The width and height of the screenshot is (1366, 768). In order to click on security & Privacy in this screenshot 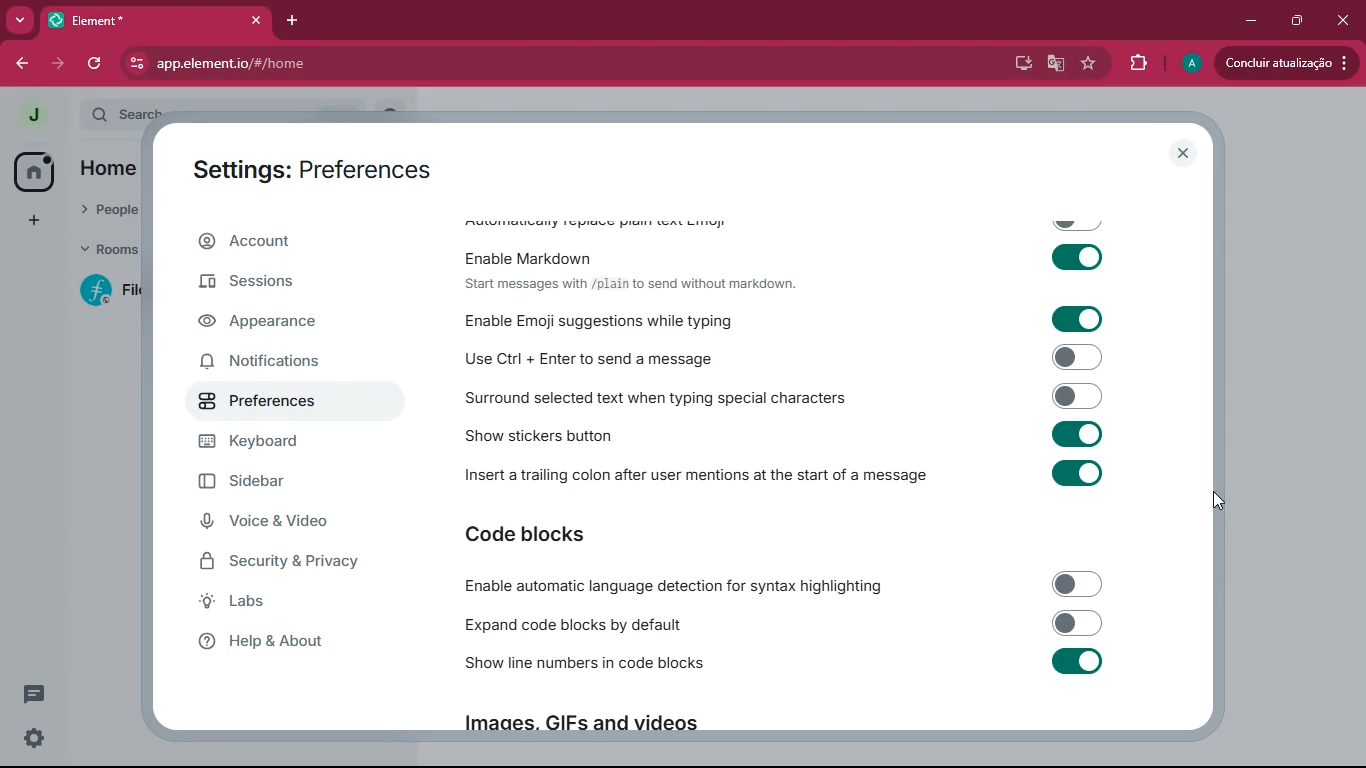, I will do `click(289, 563)`.